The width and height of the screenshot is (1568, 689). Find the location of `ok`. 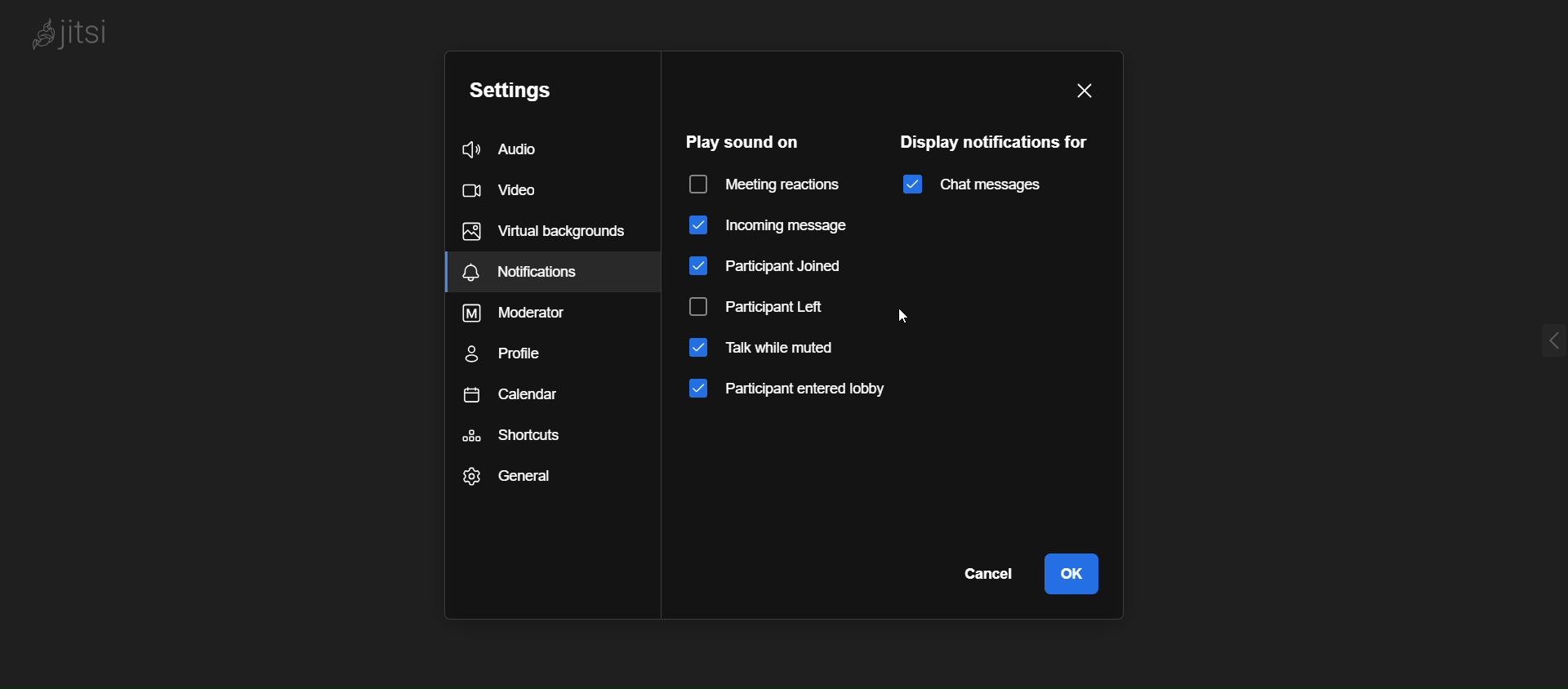

ok is located at coordinates (1080, 577).